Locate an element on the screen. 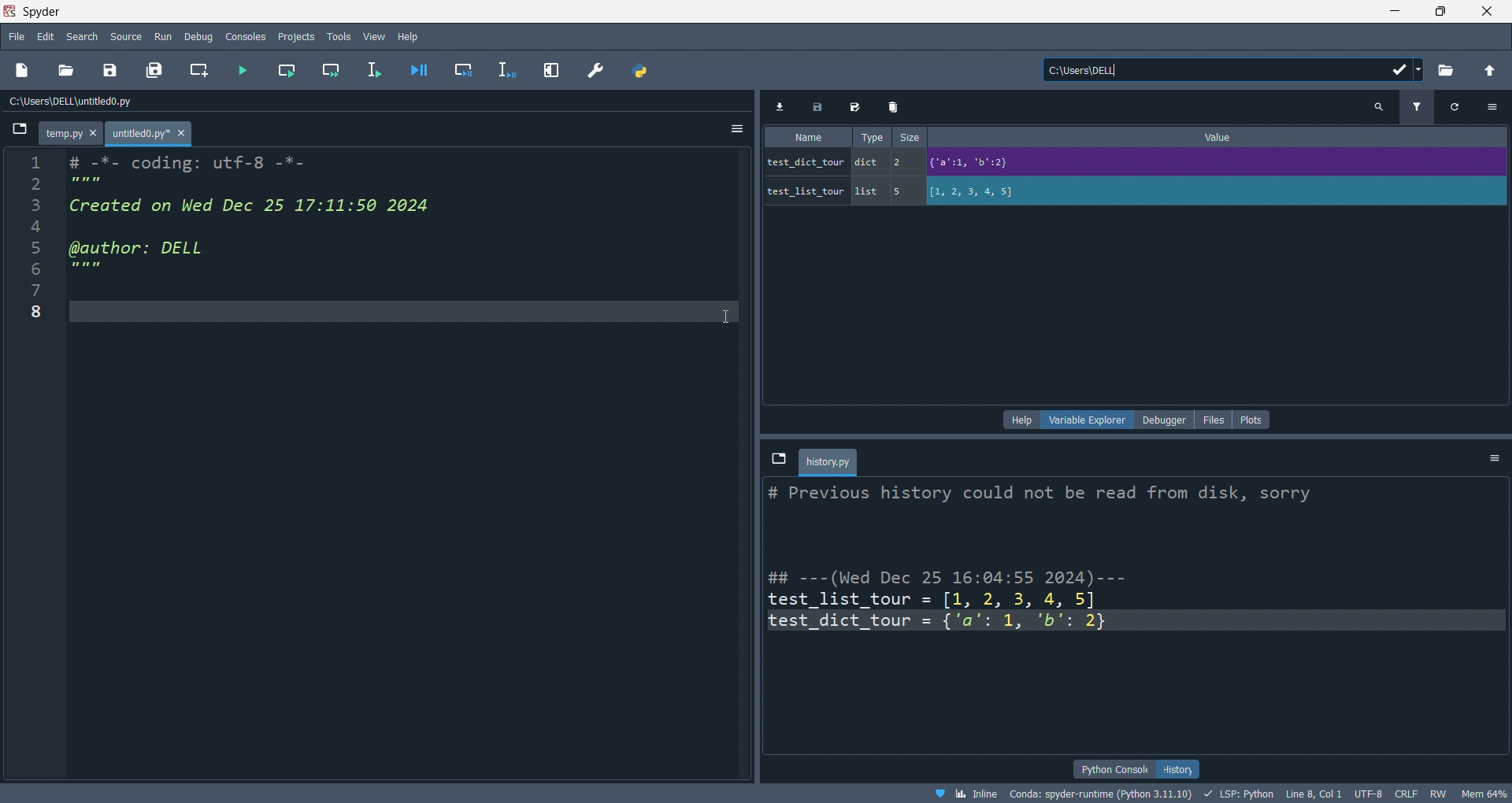  expand pane is located at coordinates (554, 68).